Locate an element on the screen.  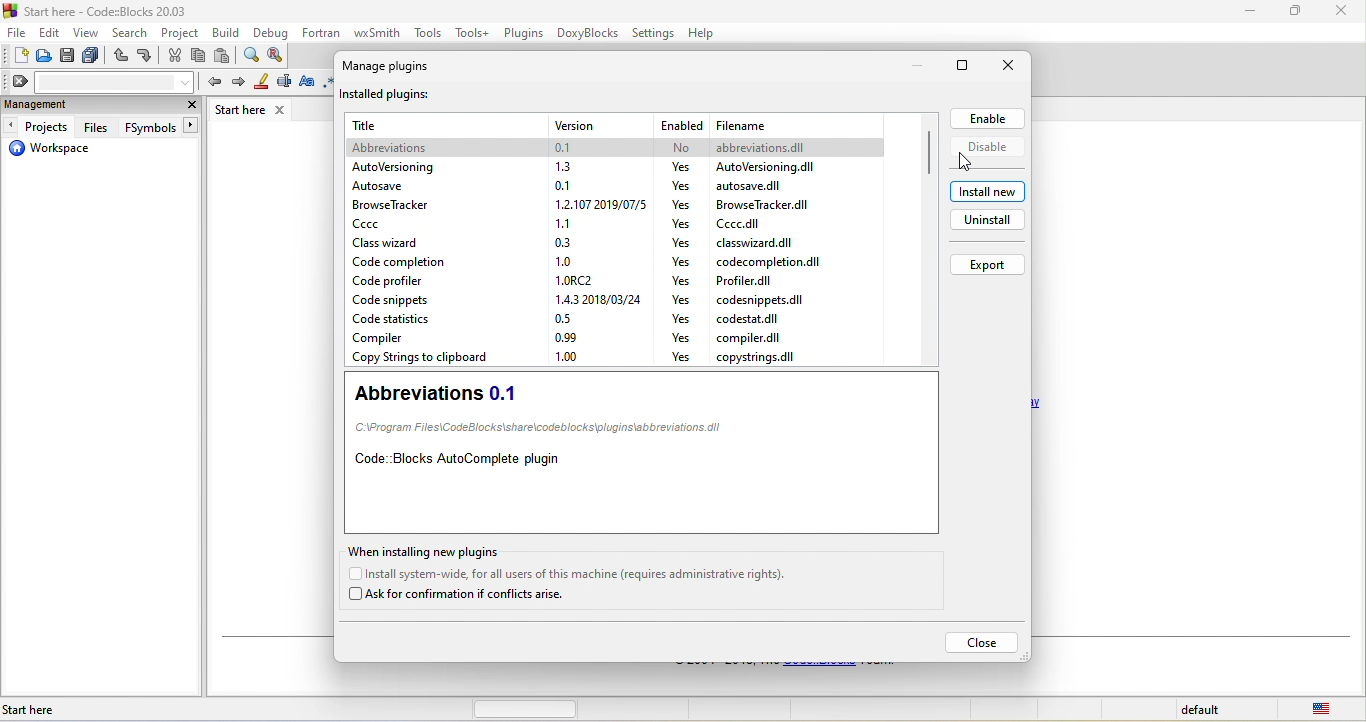
disable is located at coordinates (987, 151).